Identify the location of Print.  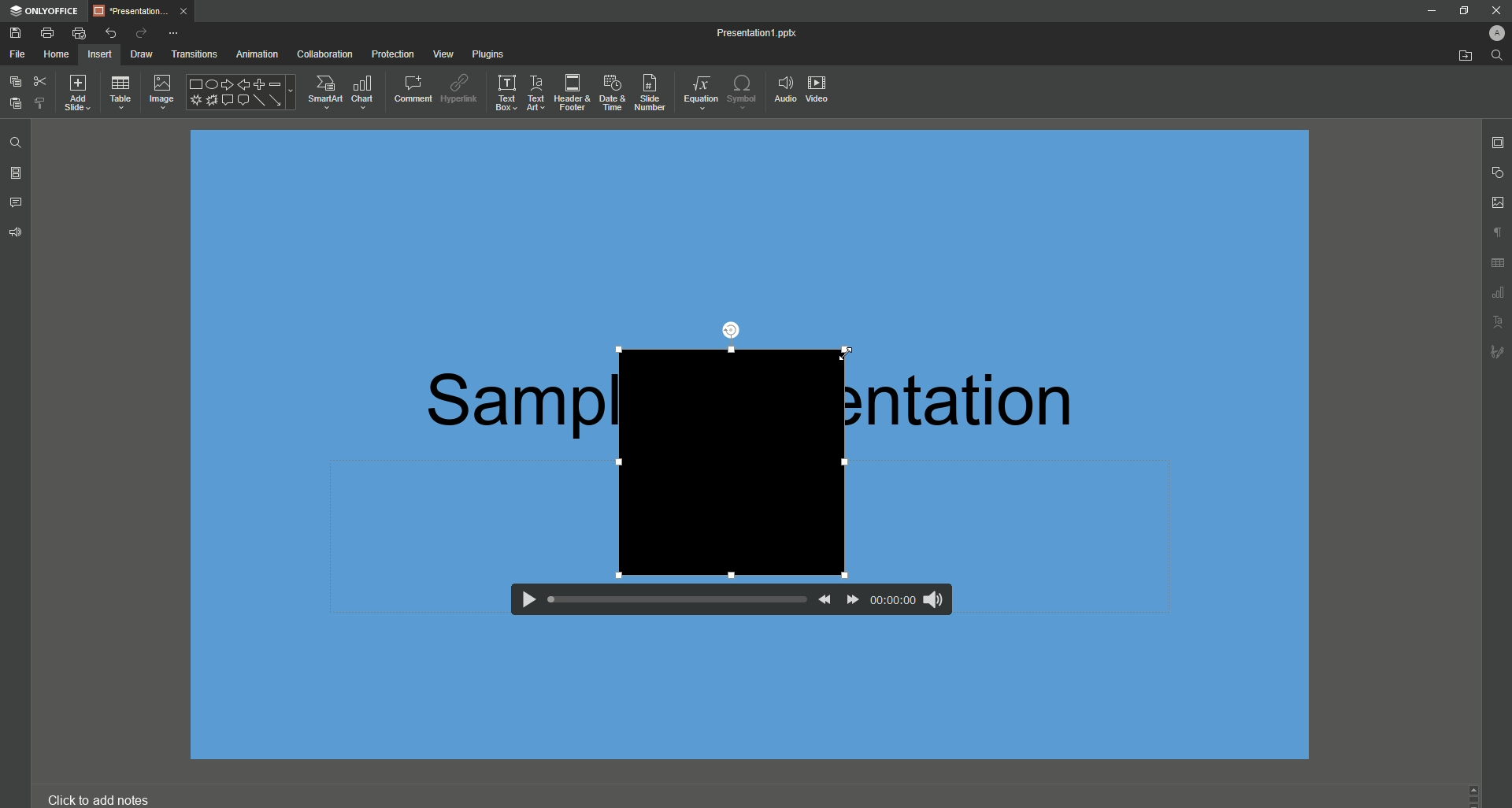
(46, 32).